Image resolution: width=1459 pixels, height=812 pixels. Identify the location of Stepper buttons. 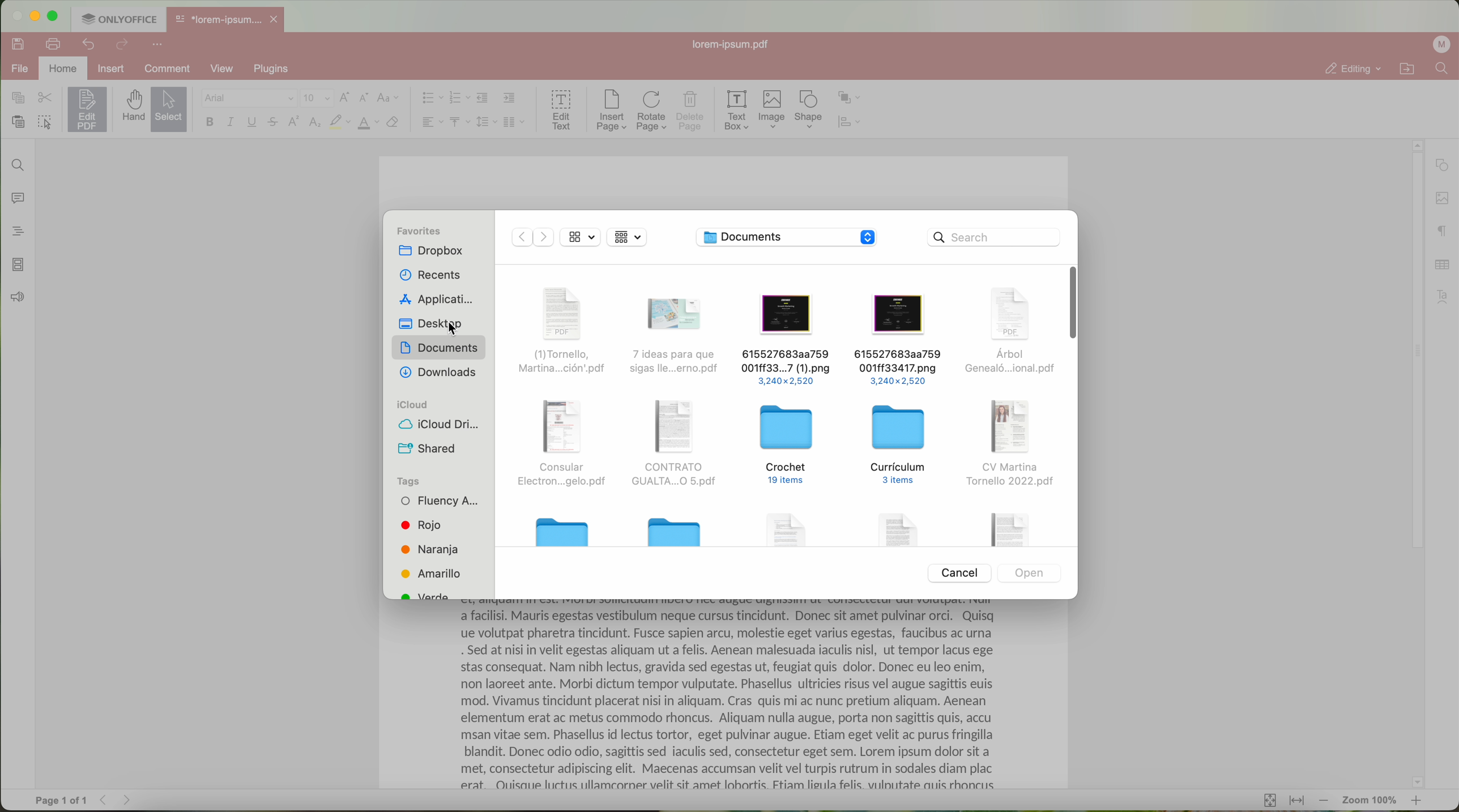
(867, 238).